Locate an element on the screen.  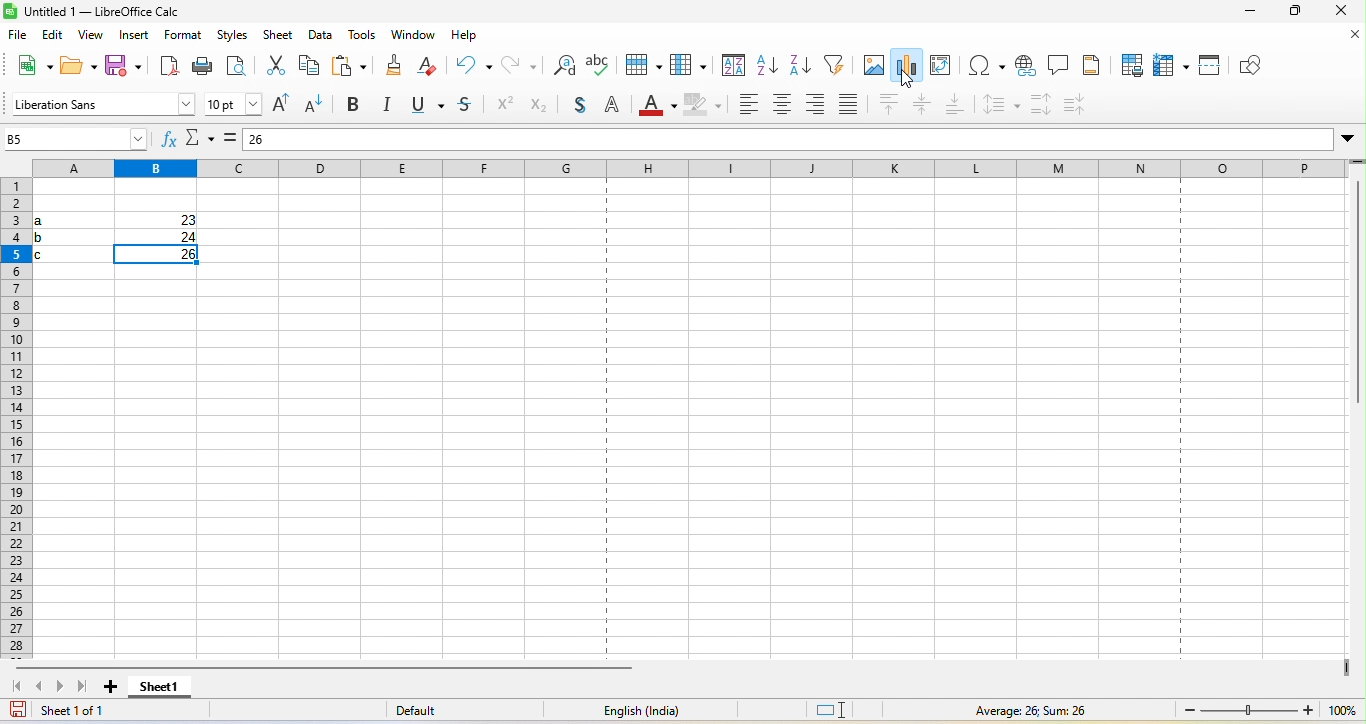
first sheet is located at coordinates (15, 688).